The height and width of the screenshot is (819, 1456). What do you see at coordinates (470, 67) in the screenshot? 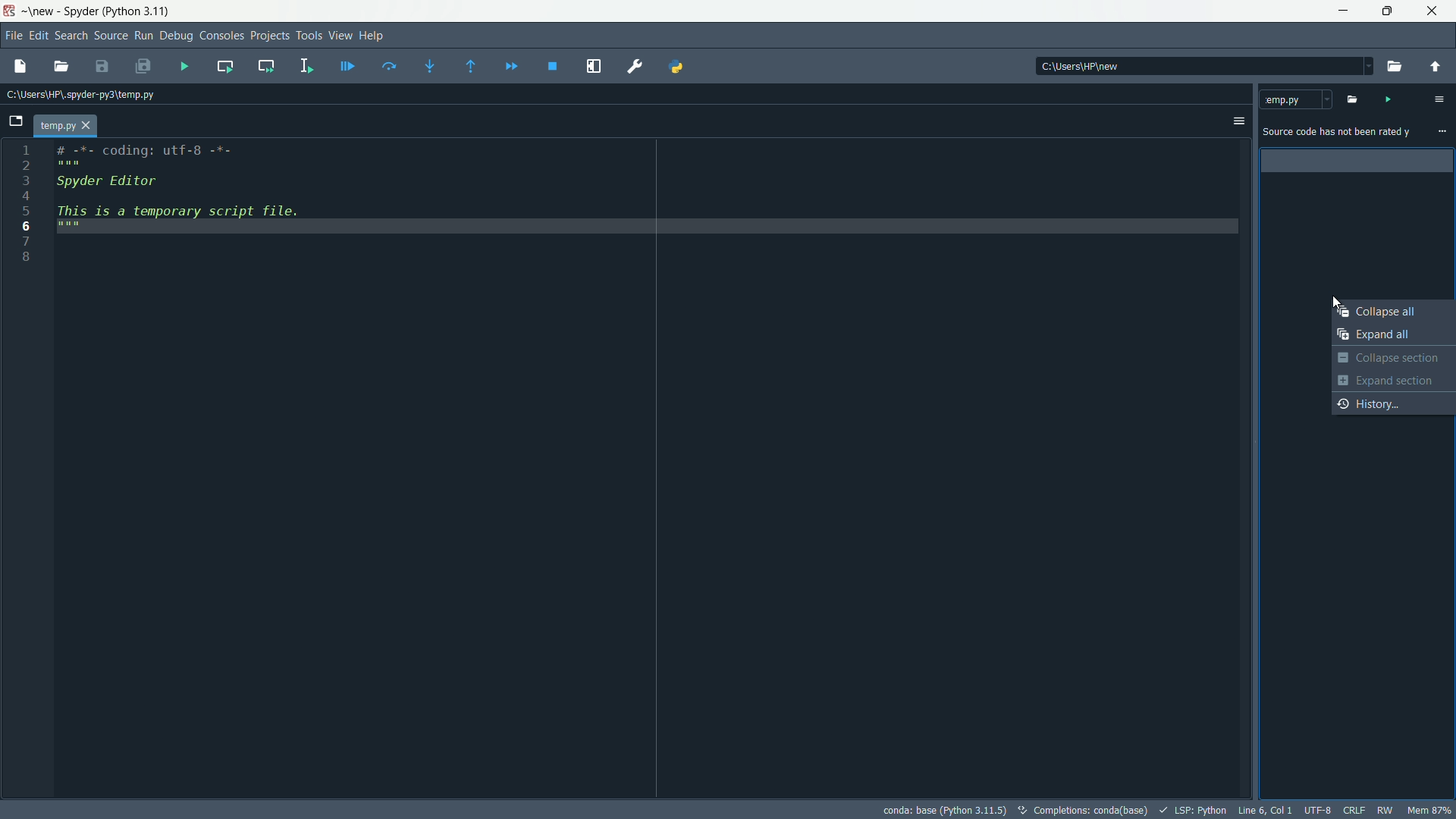
I see `continue execution until next function` at bounding box center [470, 67].